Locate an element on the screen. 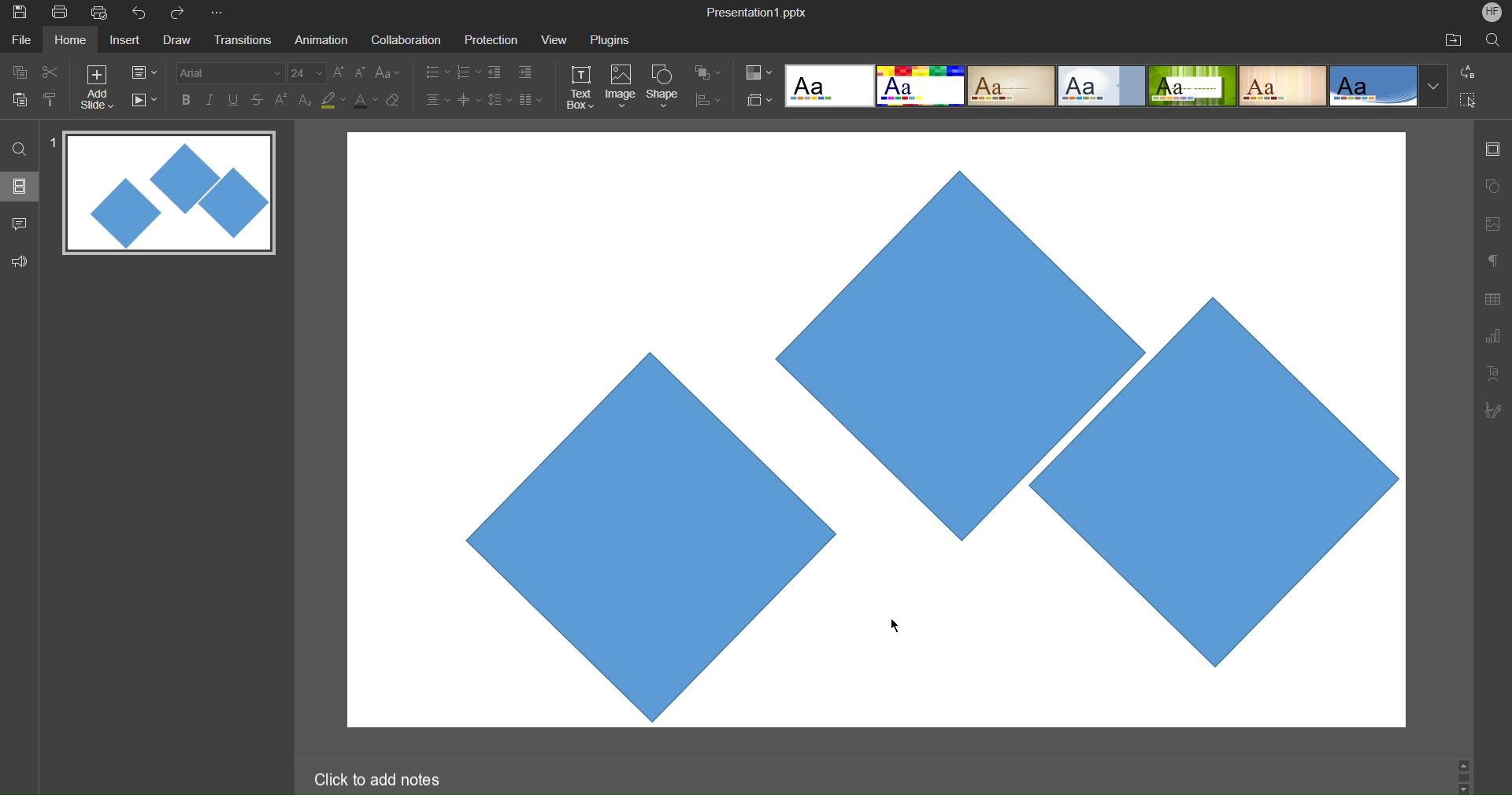  Line Spacing is located at coordinates (498, 101).